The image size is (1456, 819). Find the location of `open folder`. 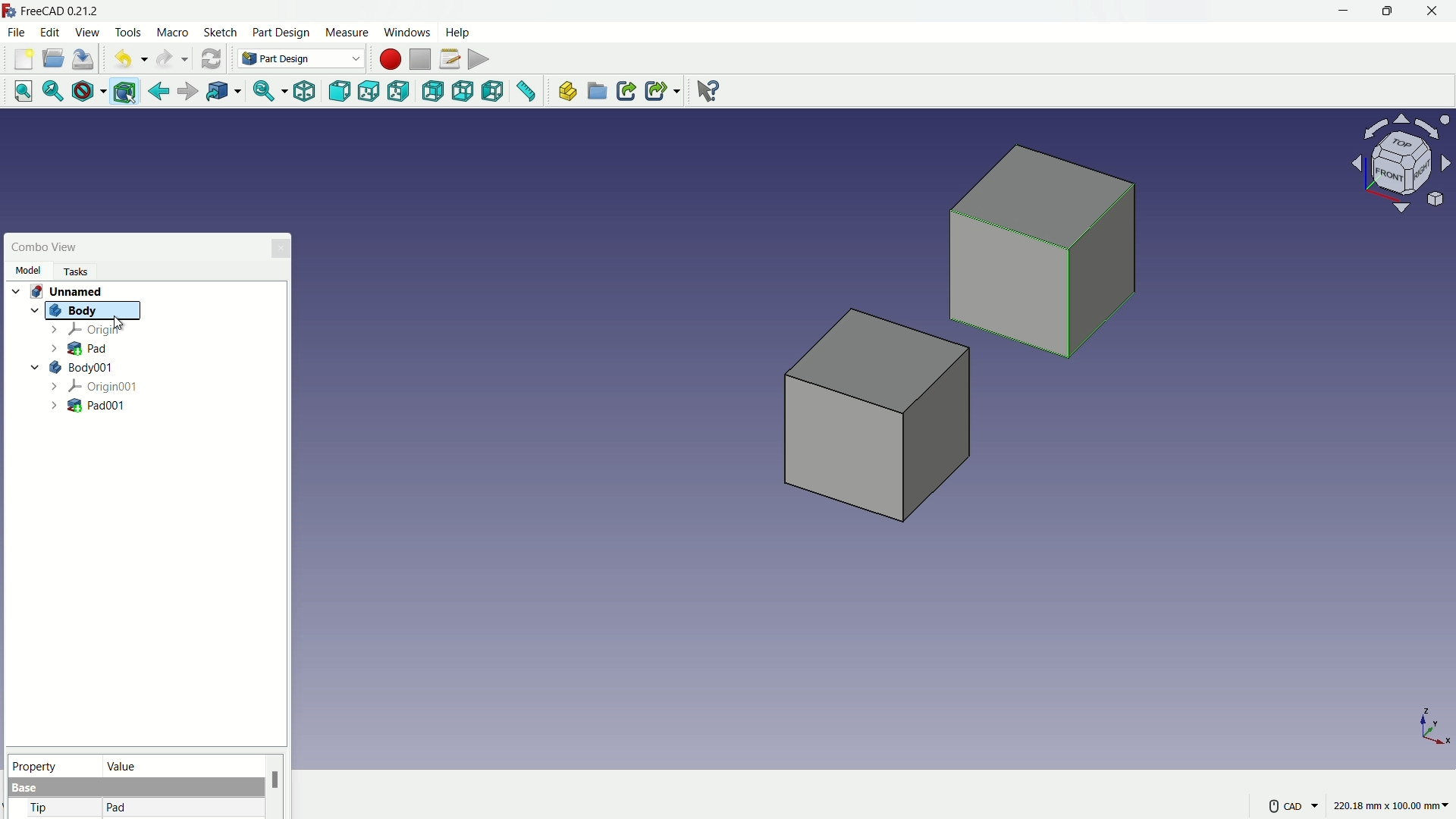

open folder is located at coordinates (53, 59).